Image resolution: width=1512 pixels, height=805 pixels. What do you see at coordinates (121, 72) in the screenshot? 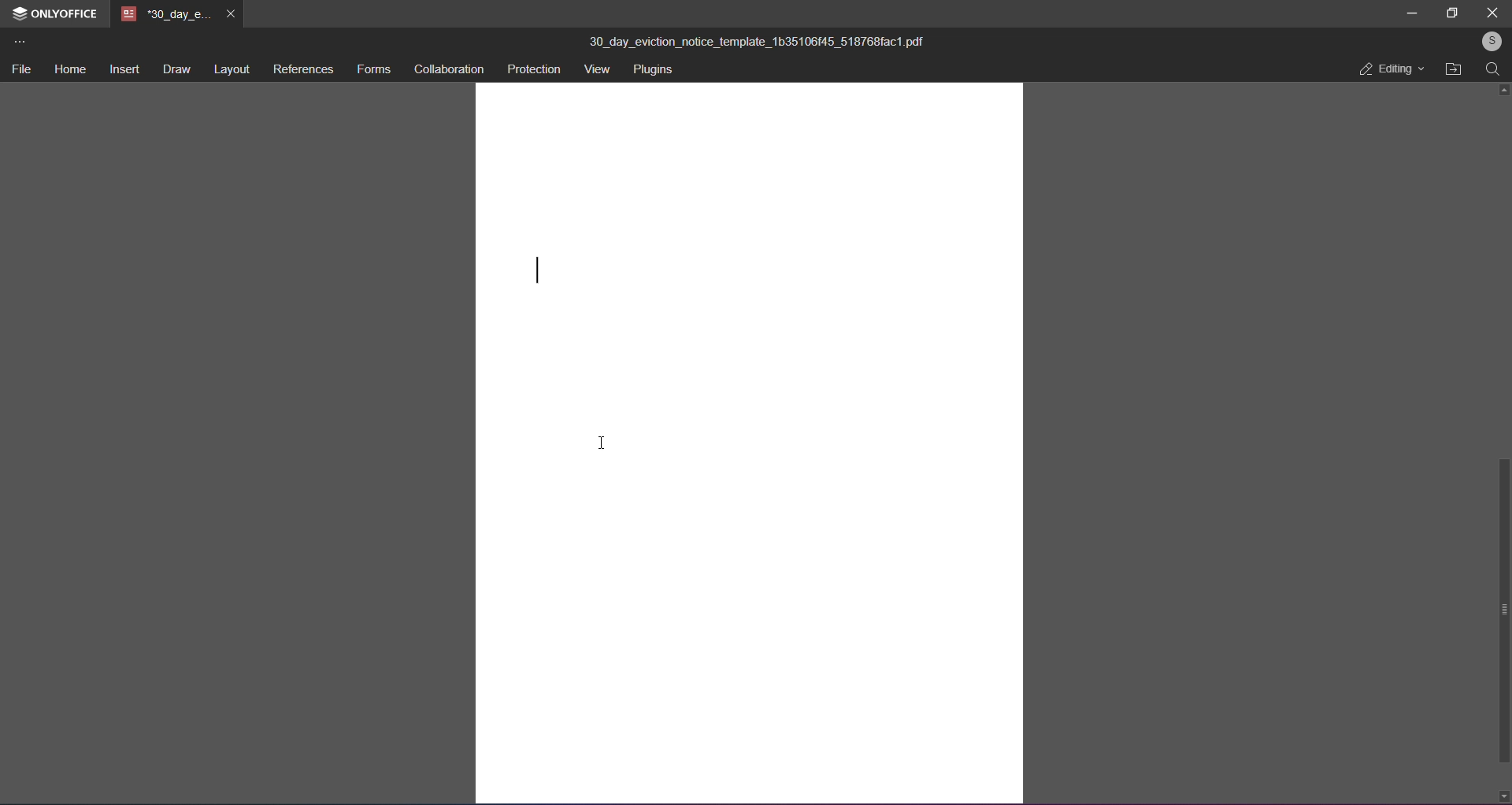
I see `insert` at bounding box center [121, 72].